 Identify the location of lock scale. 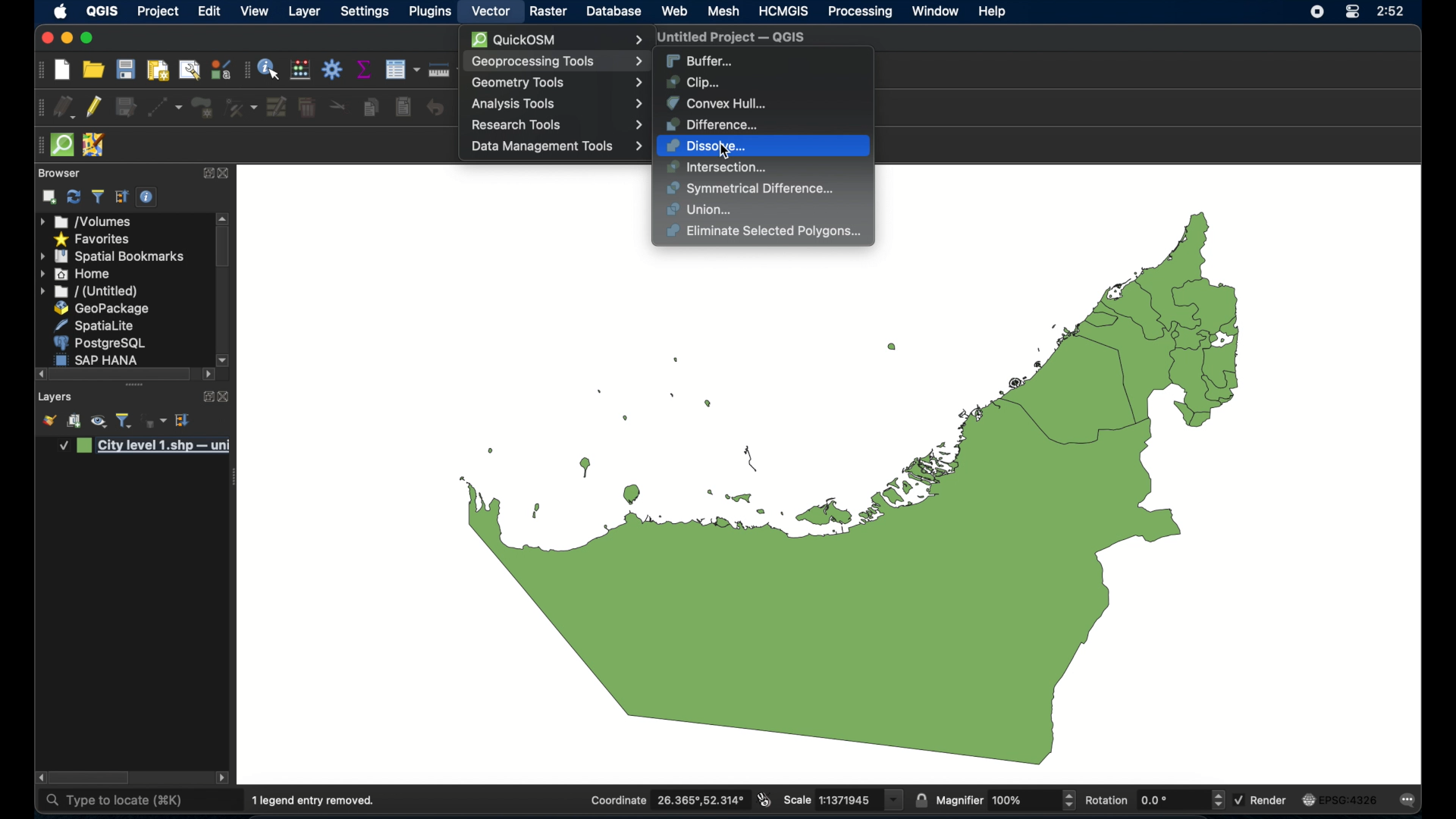
(921, 799).